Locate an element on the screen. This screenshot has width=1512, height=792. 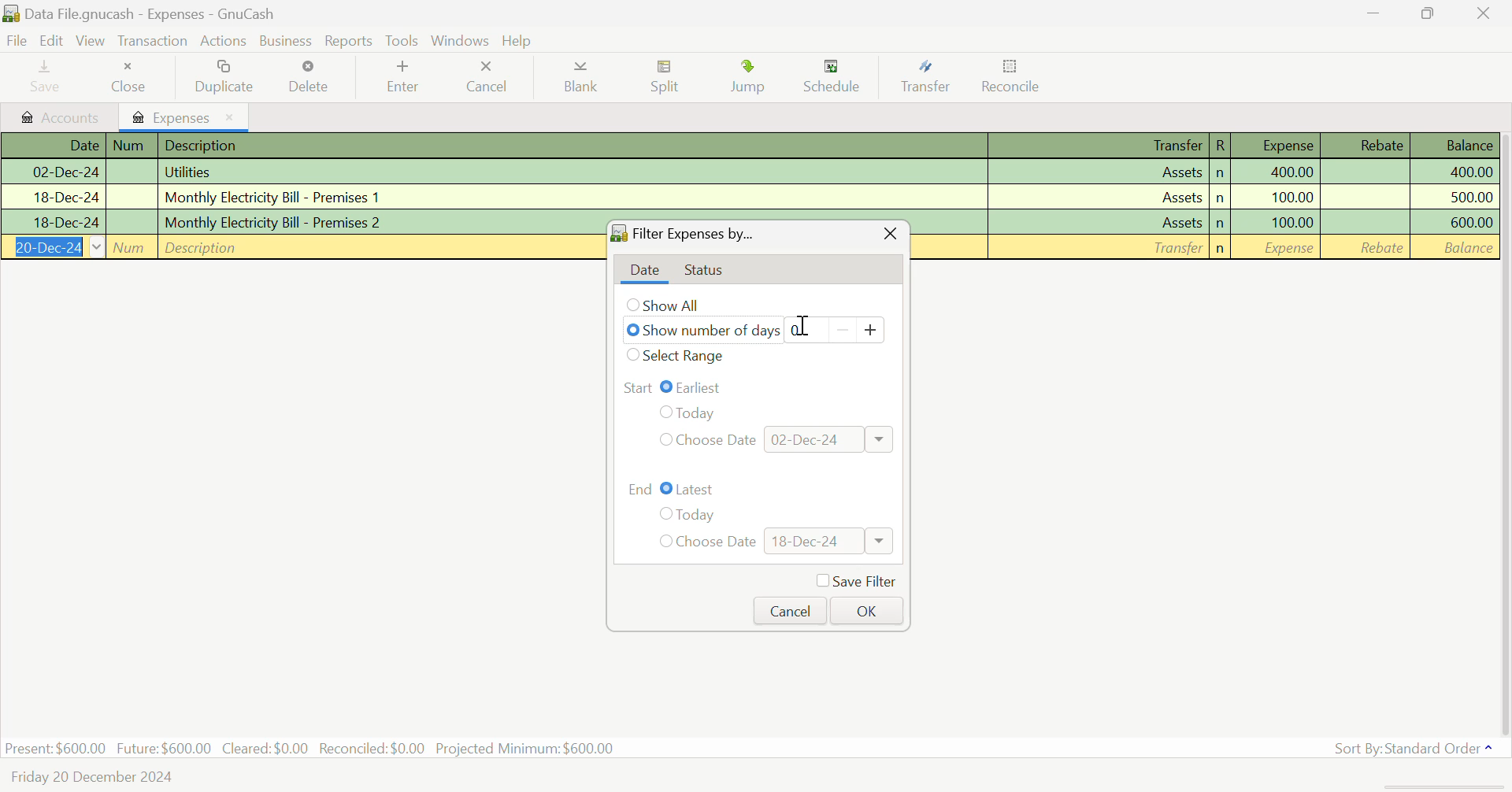
Rebate is located at coordinates (1366, 247).